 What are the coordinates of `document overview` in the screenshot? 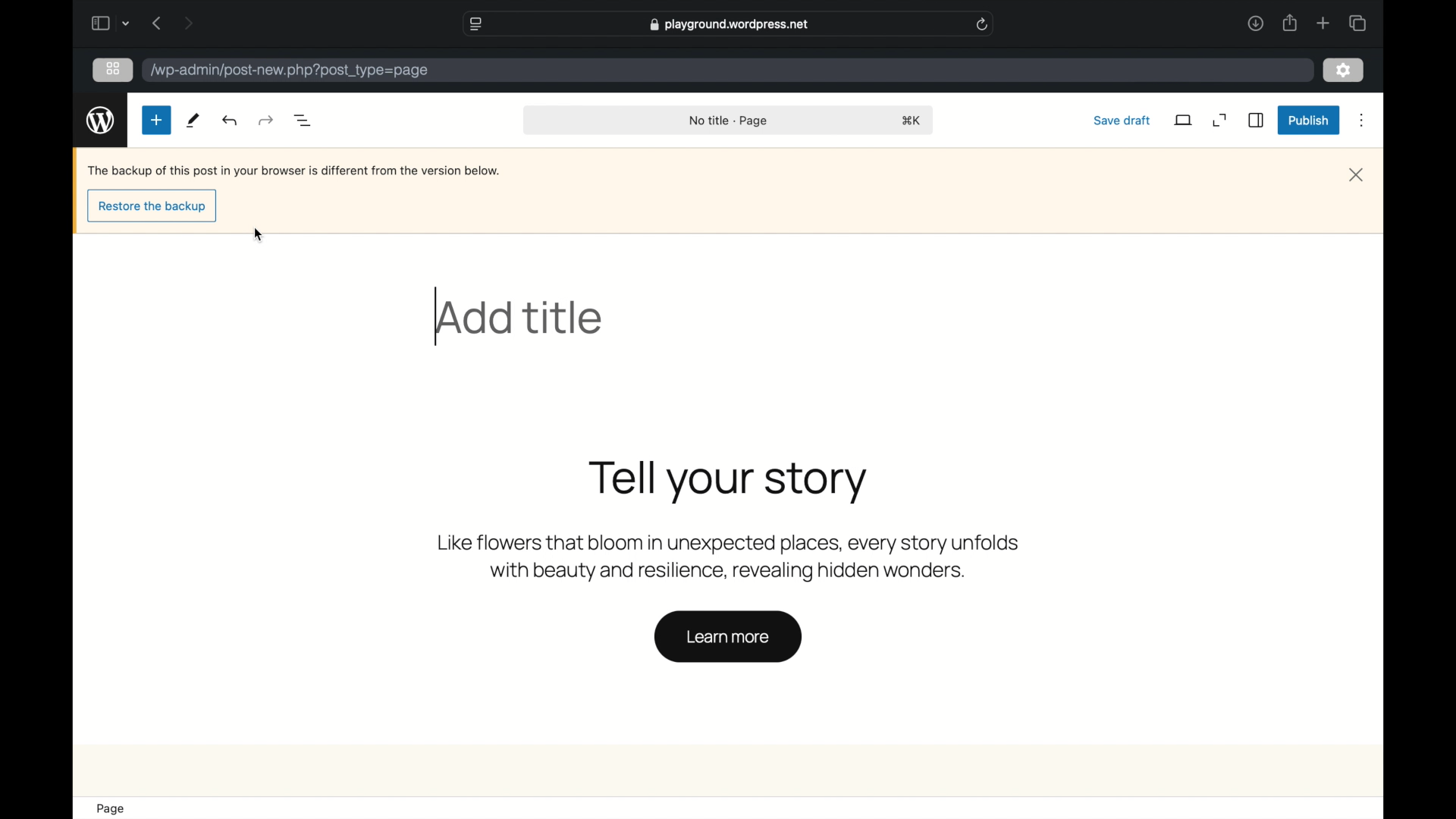 It's located at (306, 121).